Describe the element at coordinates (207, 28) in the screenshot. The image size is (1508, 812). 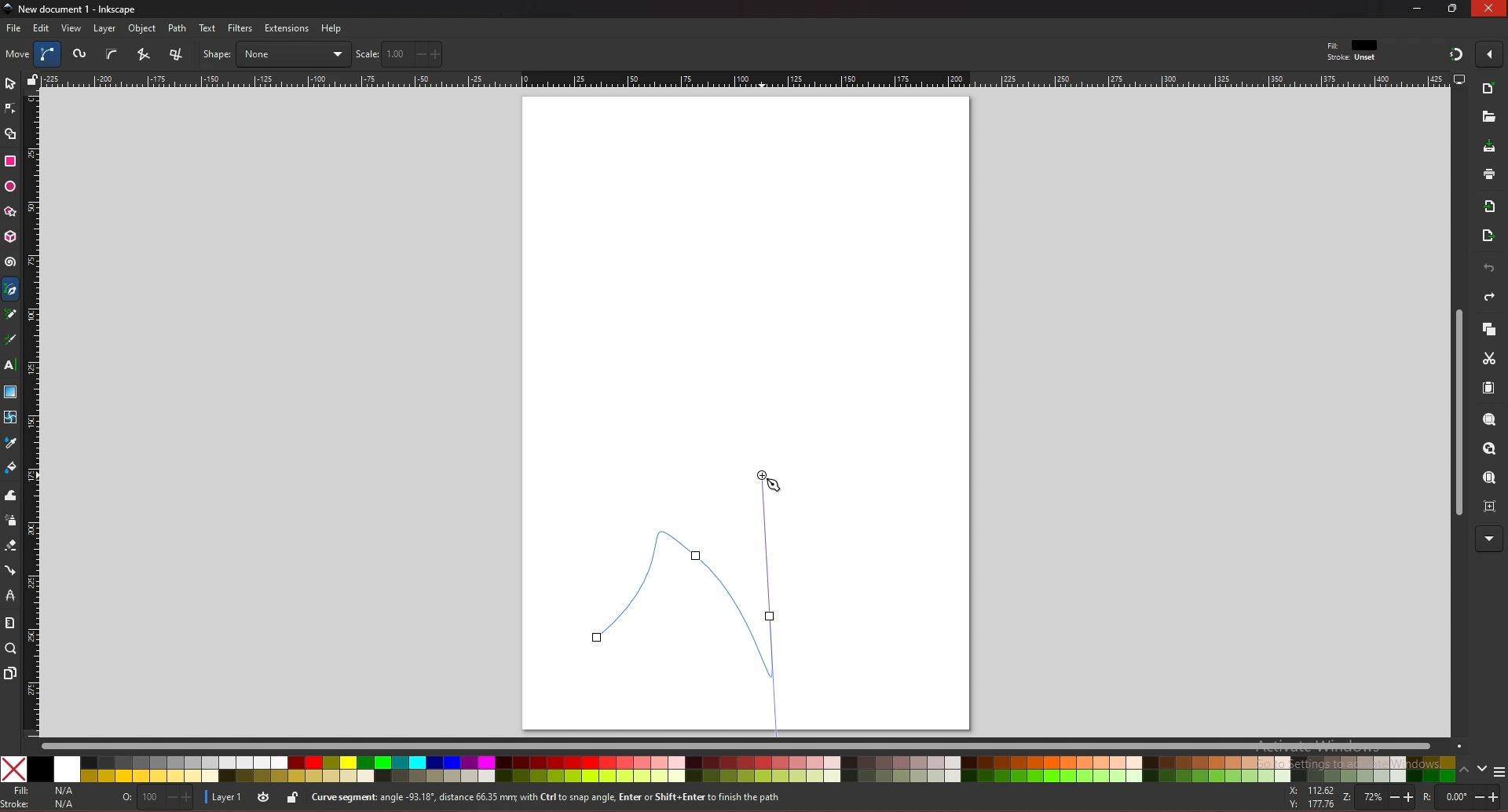
I see `text` at that location.